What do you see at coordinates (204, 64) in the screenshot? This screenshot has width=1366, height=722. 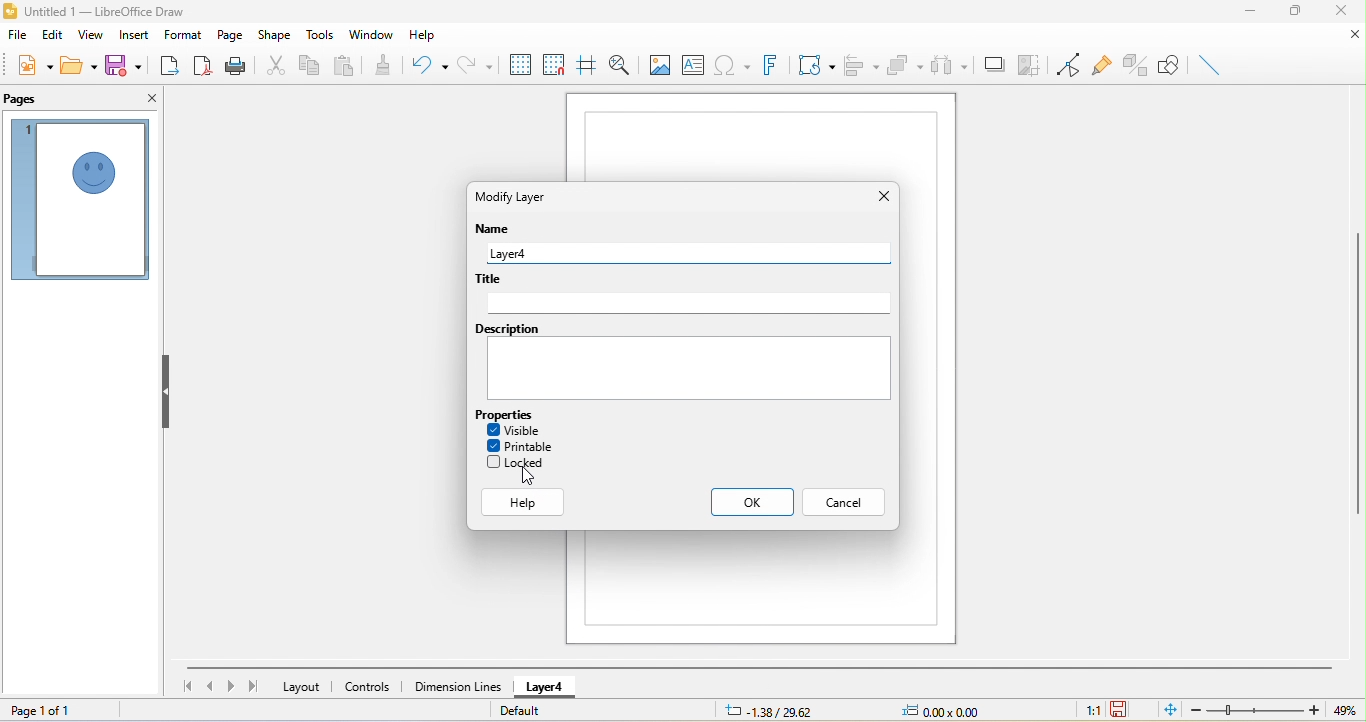 I see `export directly as pdf` at bounding box center [204, 64].